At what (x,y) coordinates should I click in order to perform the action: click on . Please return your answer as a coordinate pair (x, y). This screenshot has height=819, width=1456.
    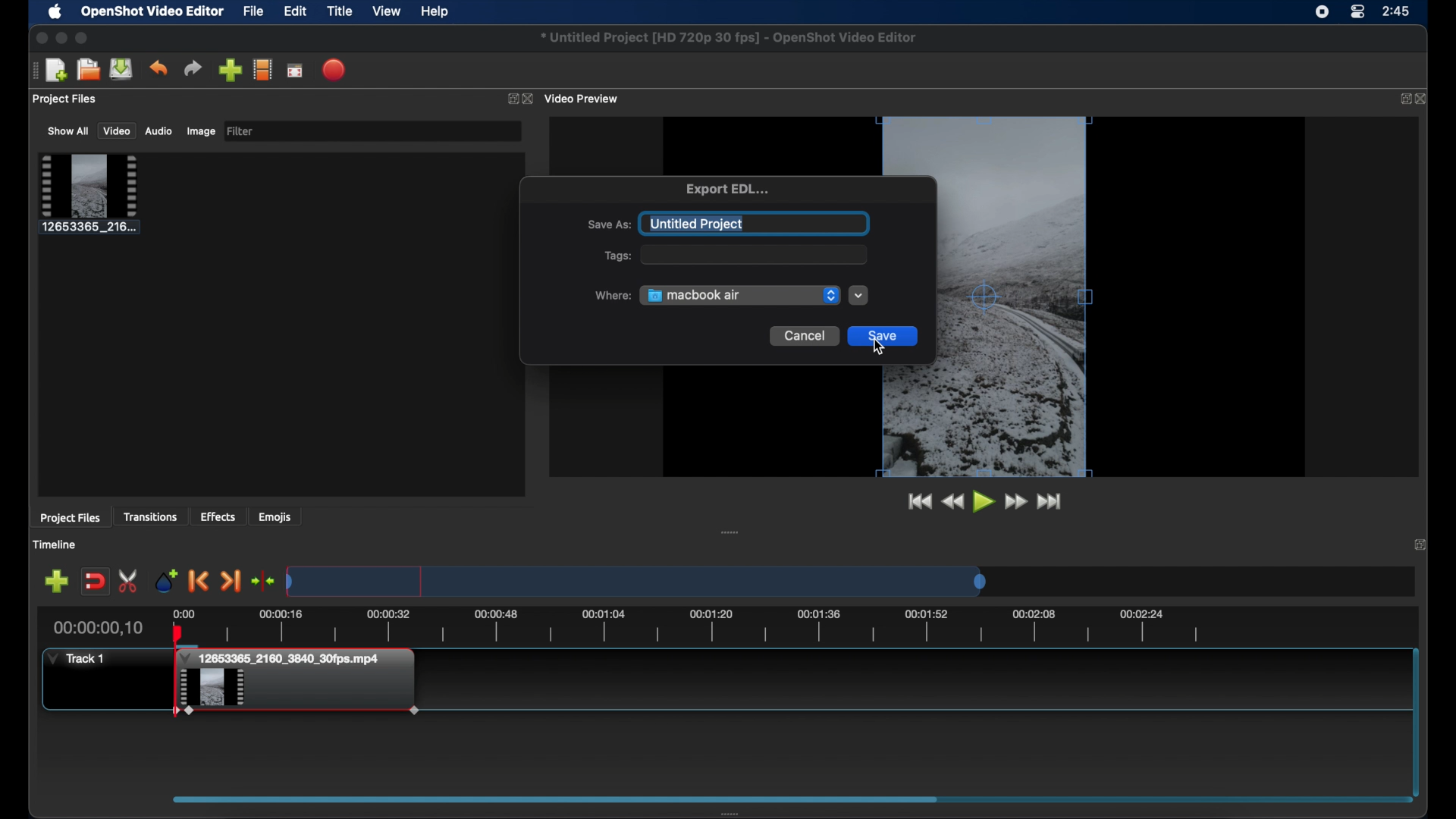
    Looking at the image, I should click on (263, 581).